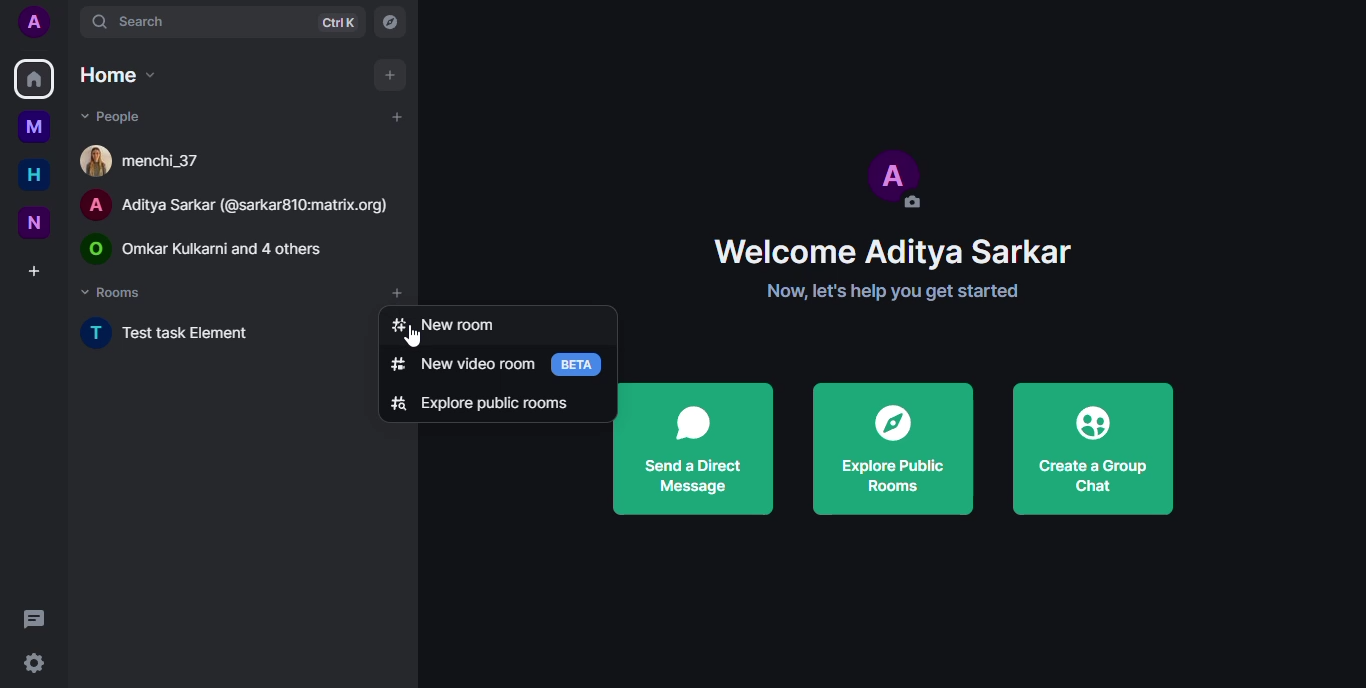  What do you see at coordinates (484, 402) in the screenshot?
I see `explore public rooms` at bounding box center [484, 402].